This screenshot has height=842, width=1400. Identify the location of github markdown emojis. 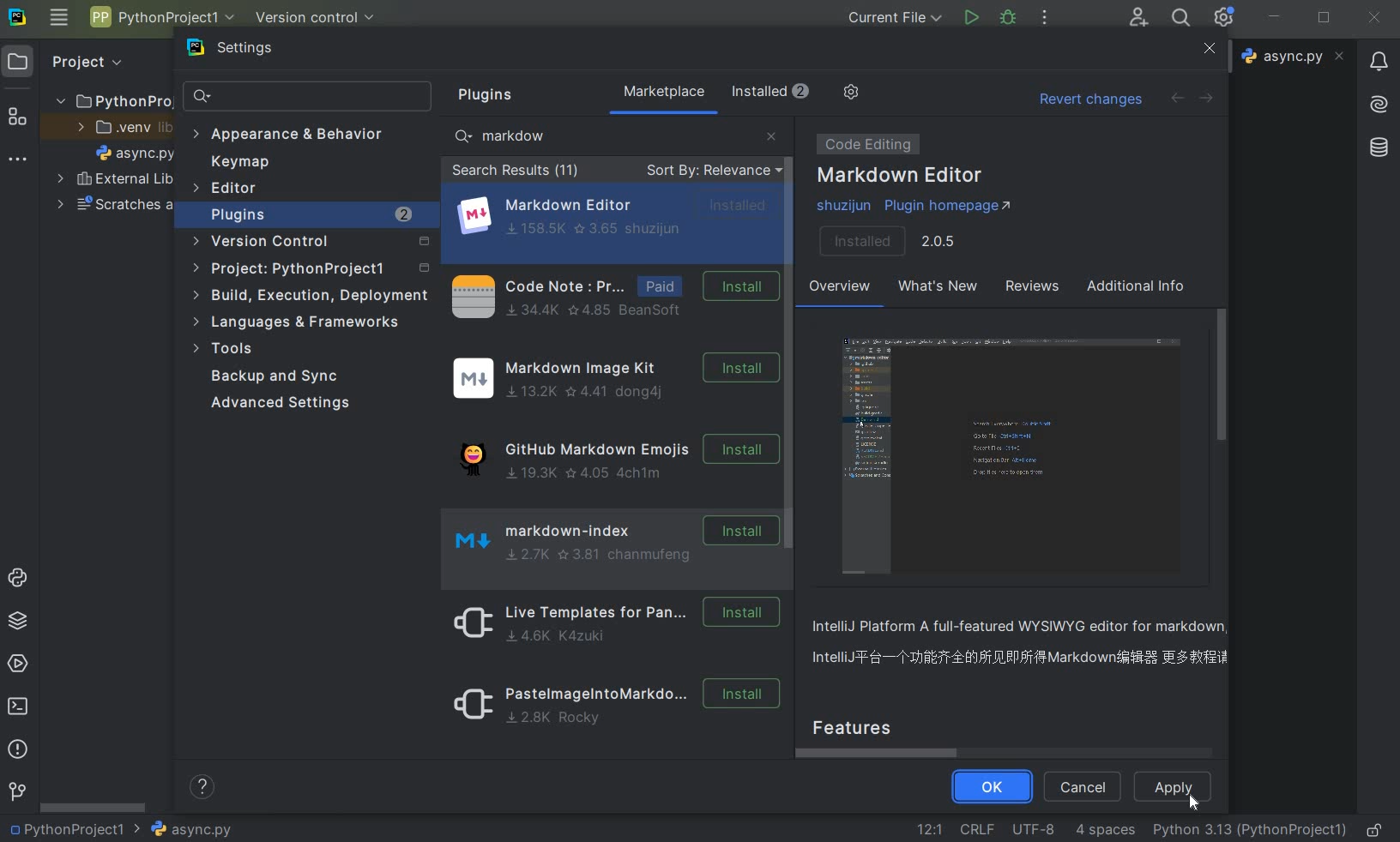
(612, 454).